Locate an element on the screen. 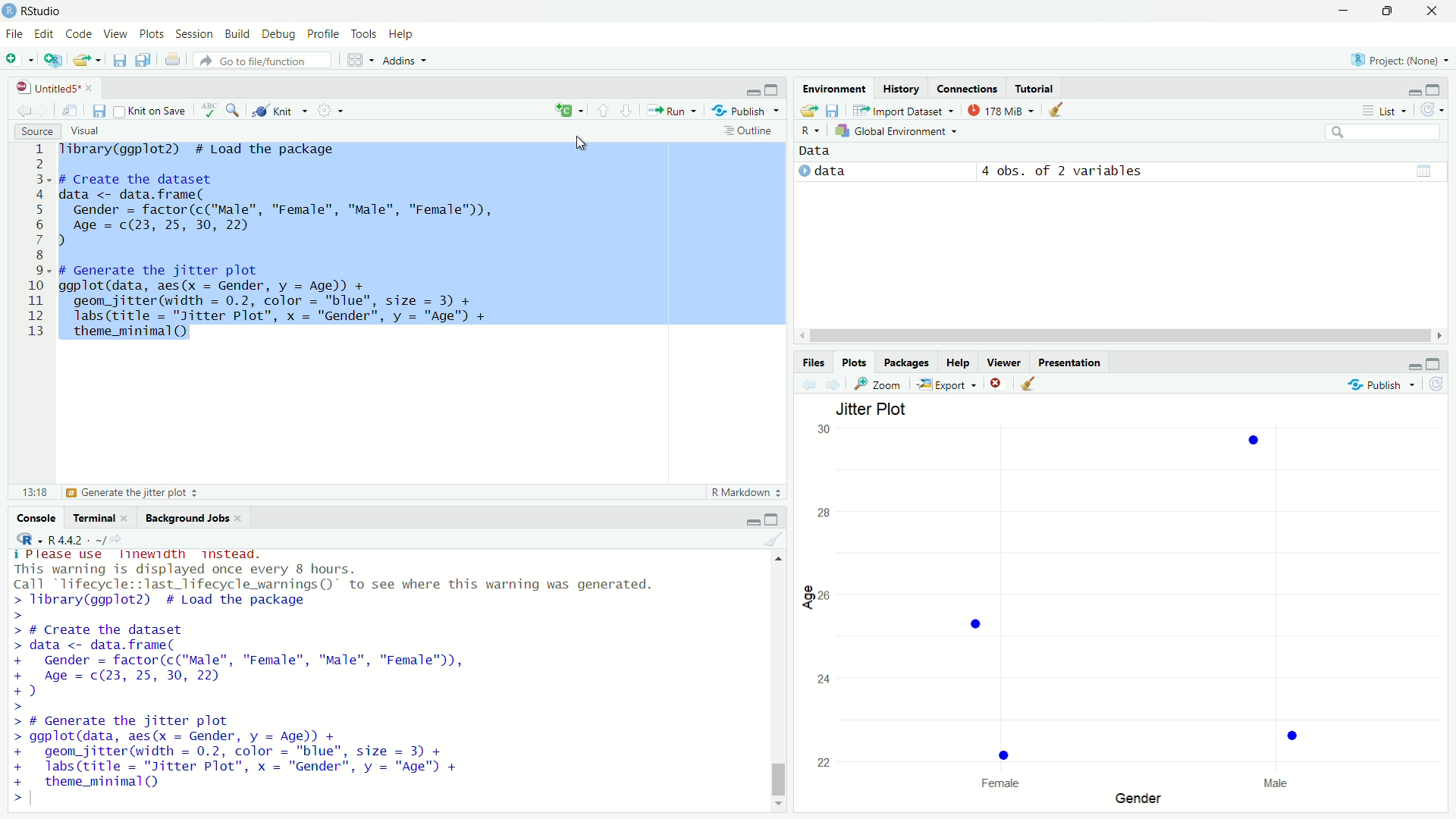  select language is located at coordinates (22, 539).